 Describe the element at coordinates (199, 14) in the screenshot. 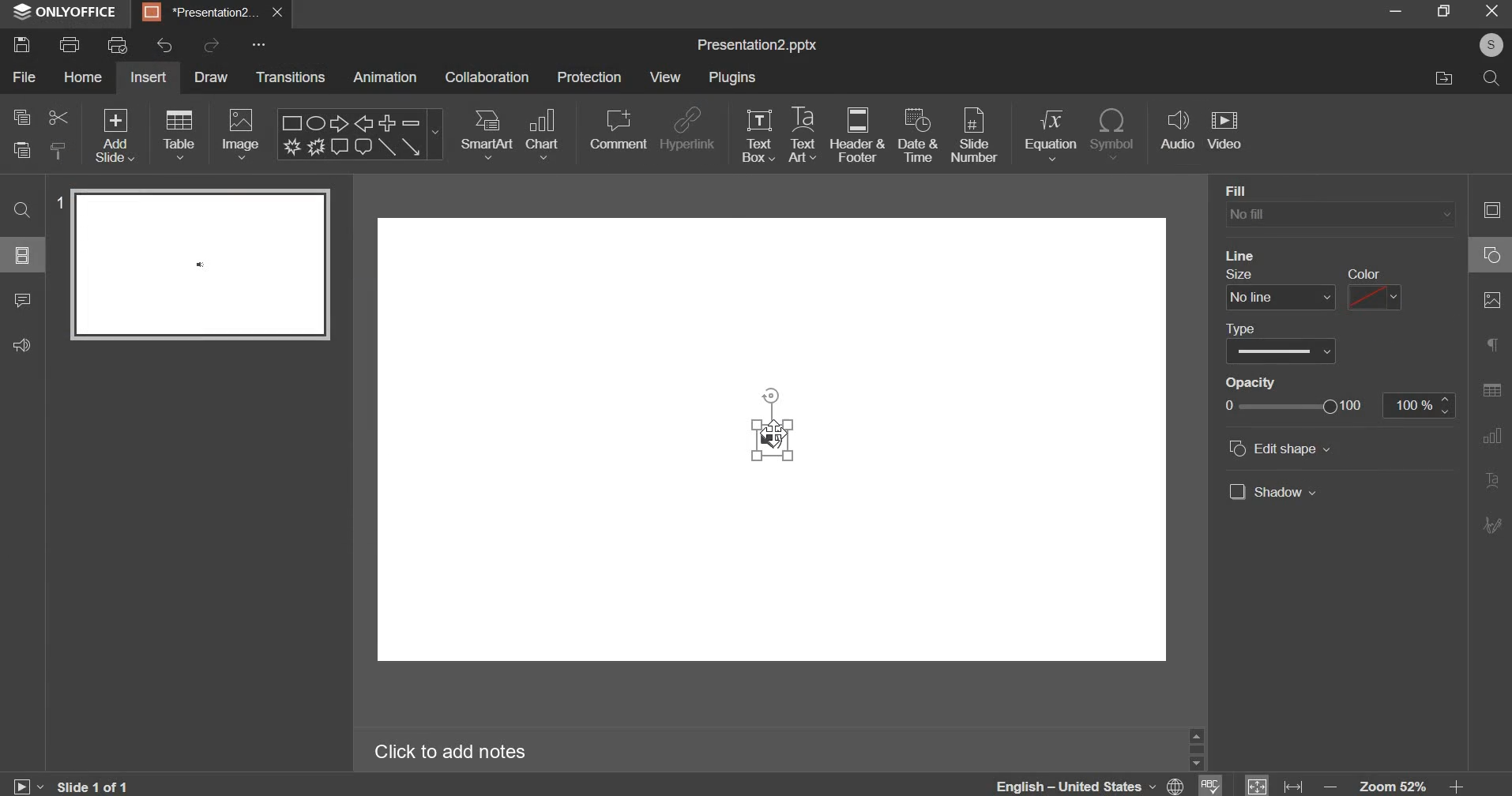

I see `Presentation2` at that location.